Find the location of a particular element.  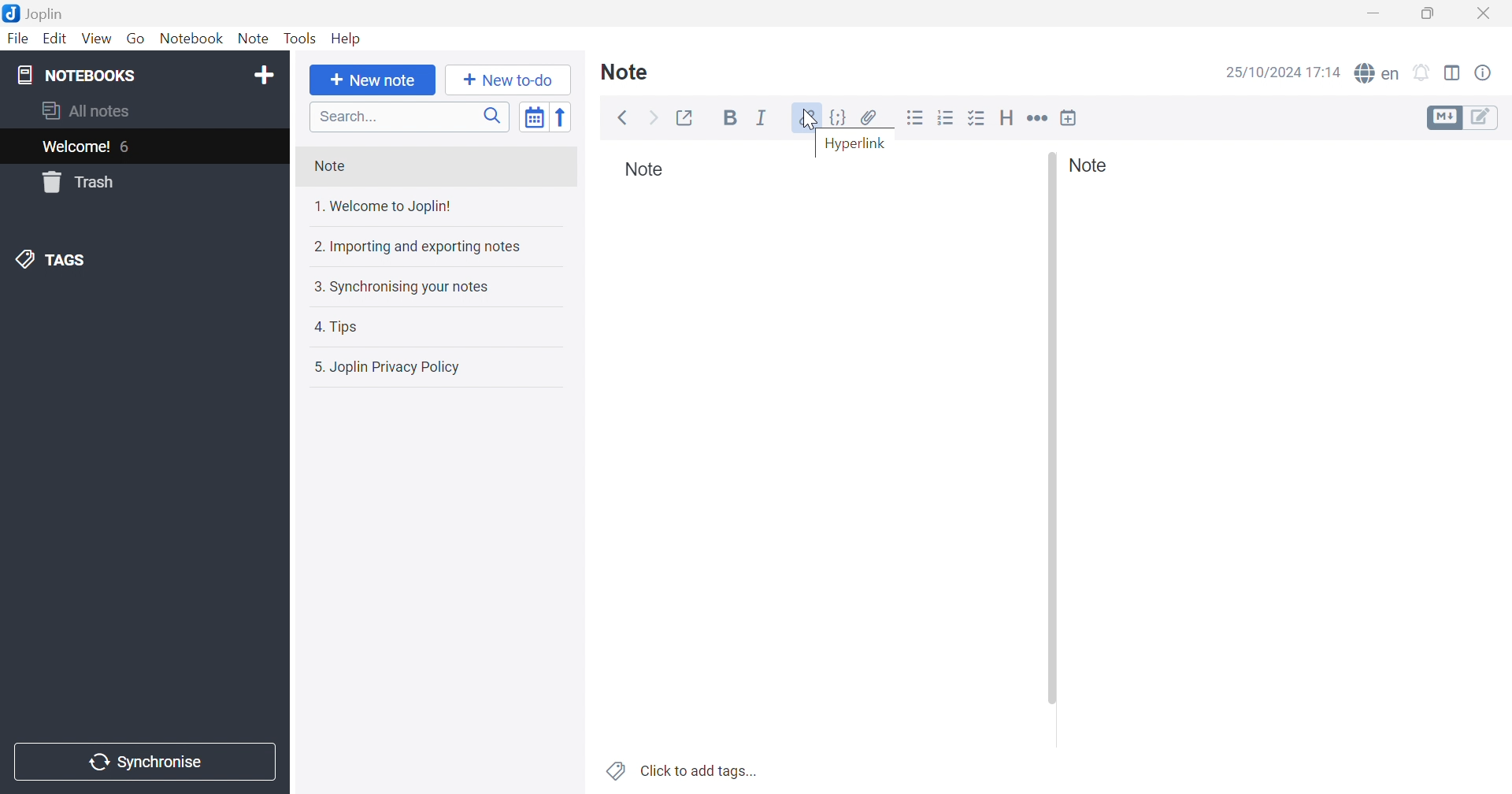

Horizontal Rule is located at coordinates (1038, 117).